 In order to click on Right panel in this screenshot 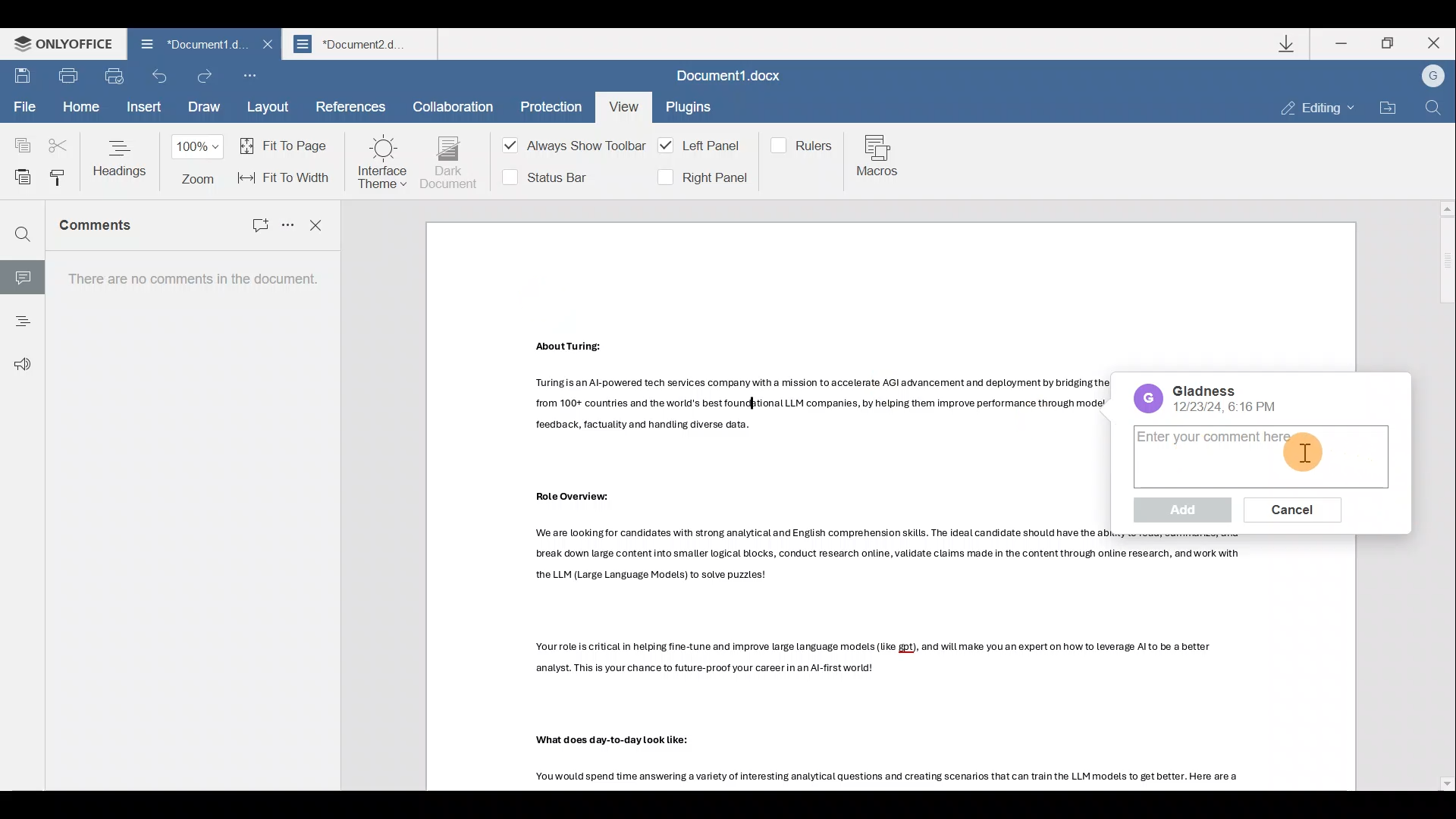, I will do `click(701, 177)`.